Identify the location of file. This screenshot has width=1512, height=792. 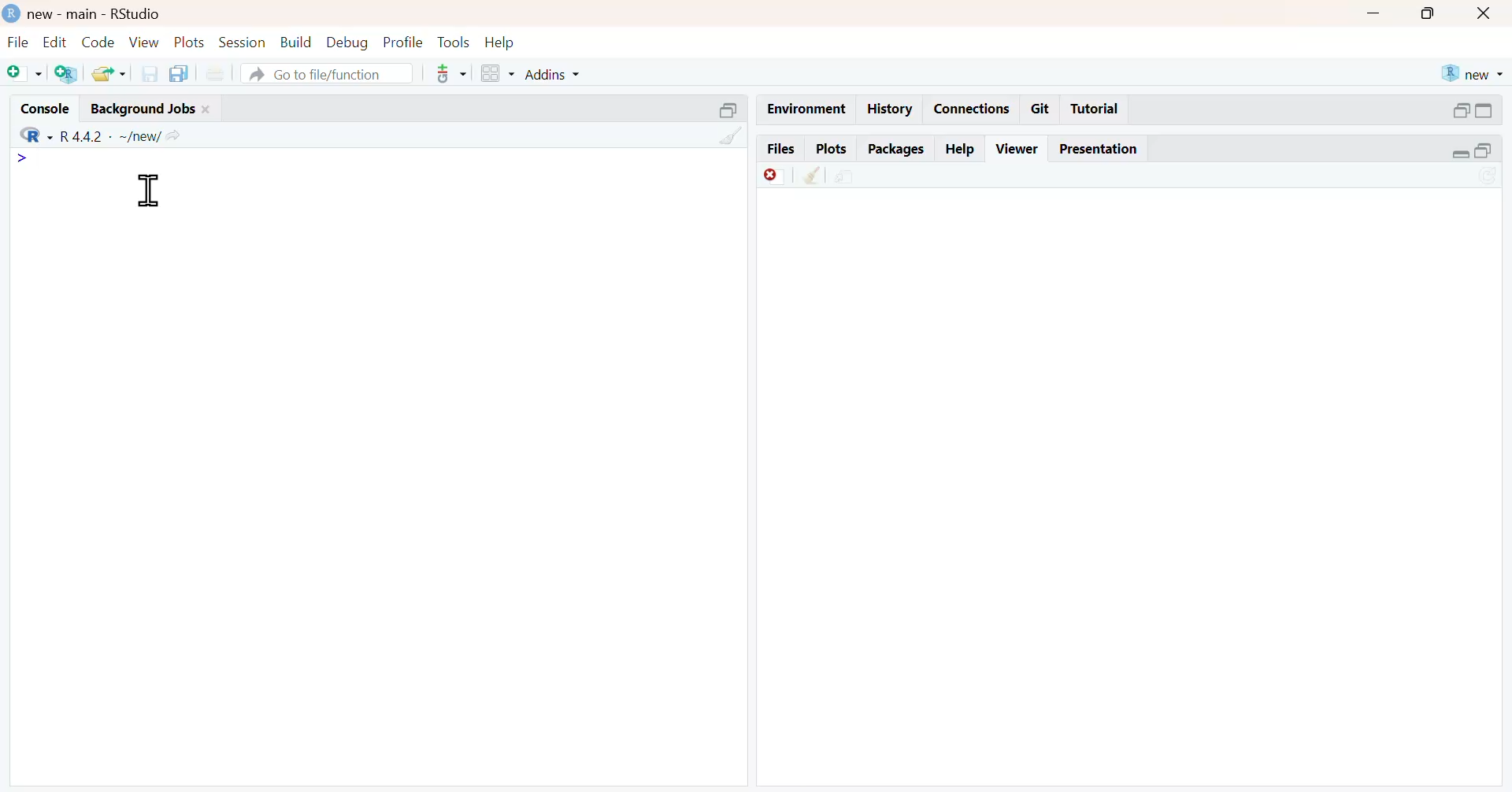
(16, 42).